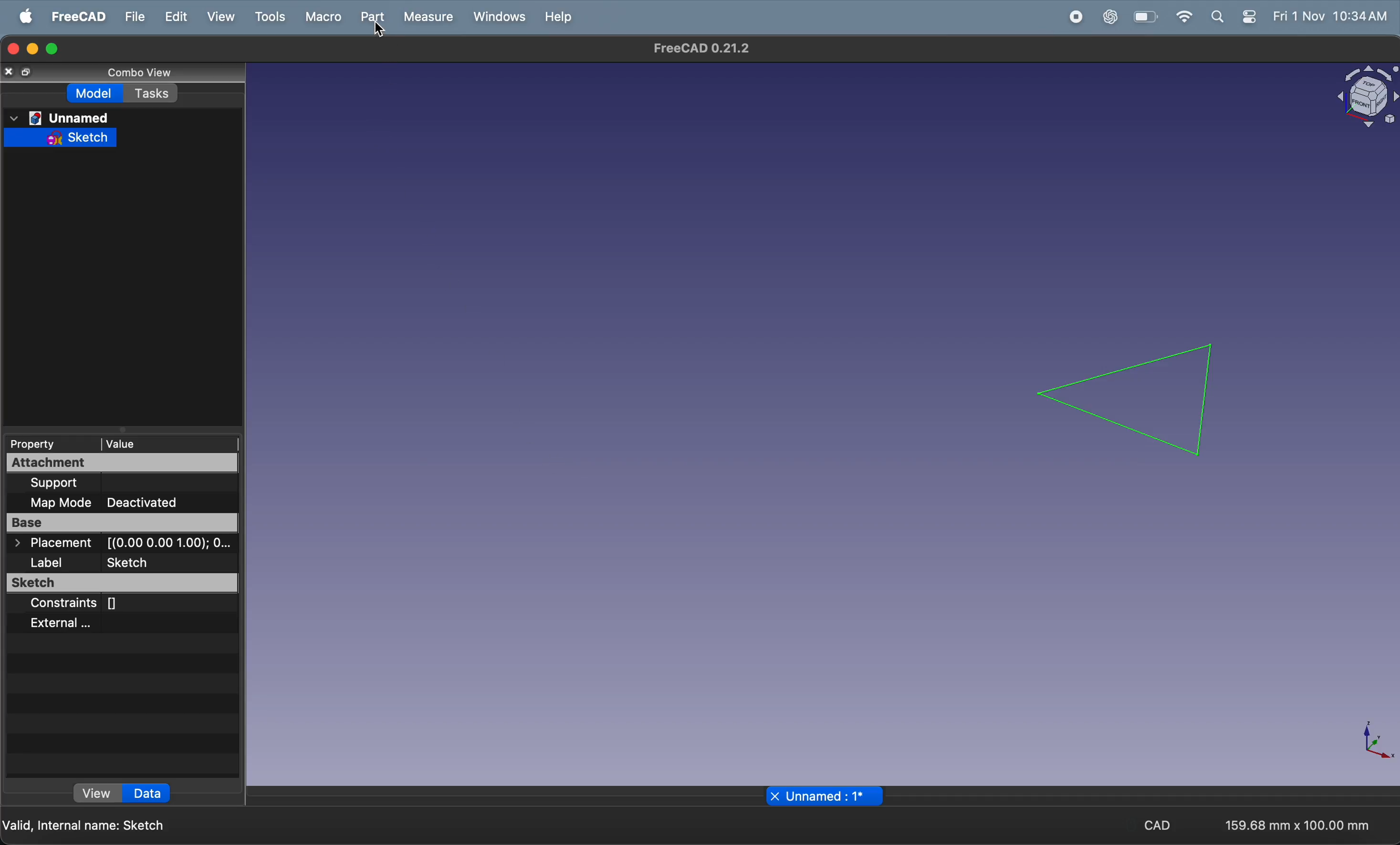 The height and width of the screenshot is (845, 1400). Describe the element at coordinates (270, 15) in the screenshot. I see `tools` at that location.